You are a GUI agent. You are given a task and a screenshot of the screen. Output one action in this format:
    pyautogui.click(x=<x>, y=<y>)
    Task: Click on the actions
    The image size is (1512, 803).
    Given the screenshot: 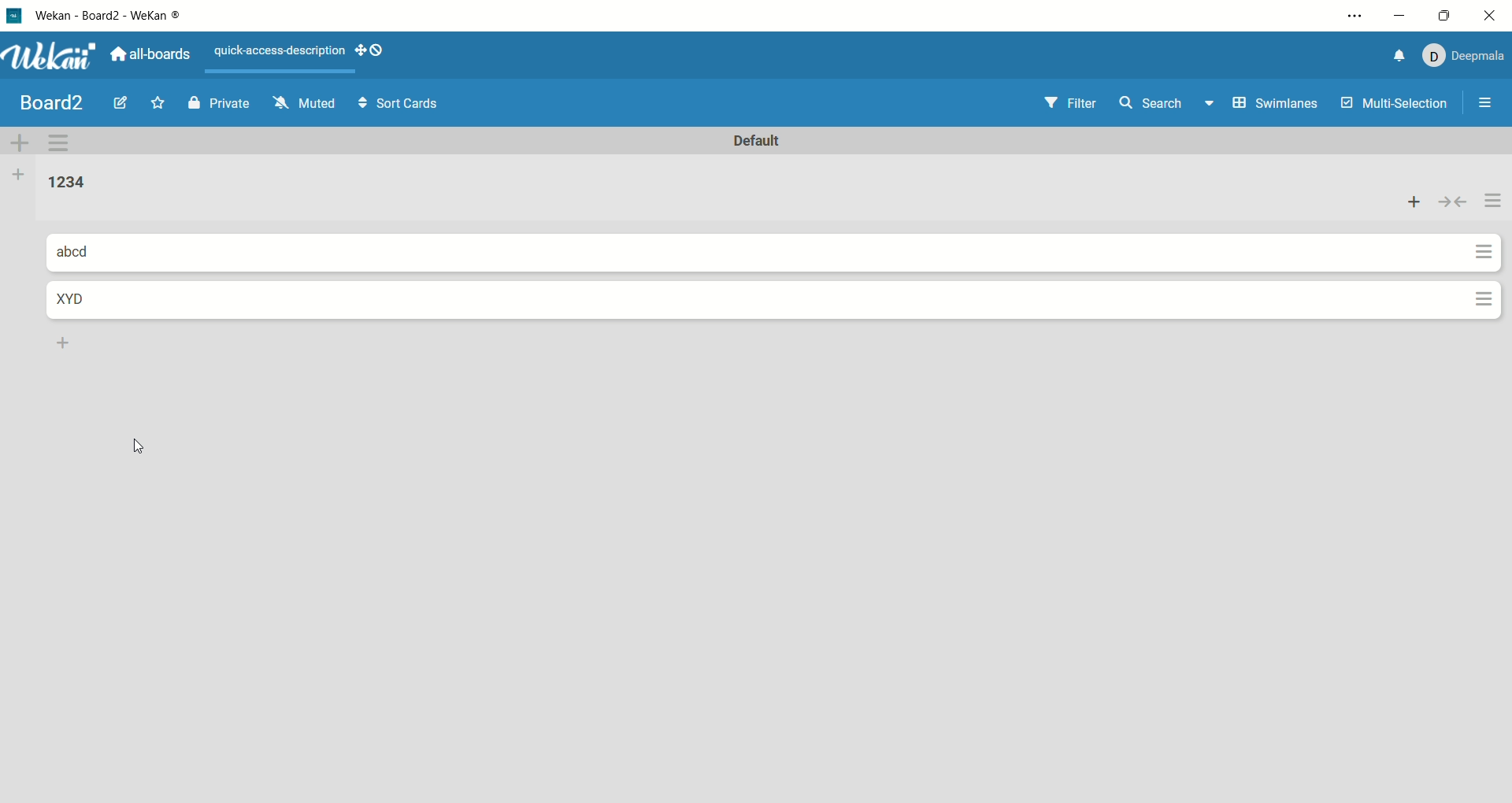 What is the action you would take?
    pyautogui.click(x=1495, y=202)
    